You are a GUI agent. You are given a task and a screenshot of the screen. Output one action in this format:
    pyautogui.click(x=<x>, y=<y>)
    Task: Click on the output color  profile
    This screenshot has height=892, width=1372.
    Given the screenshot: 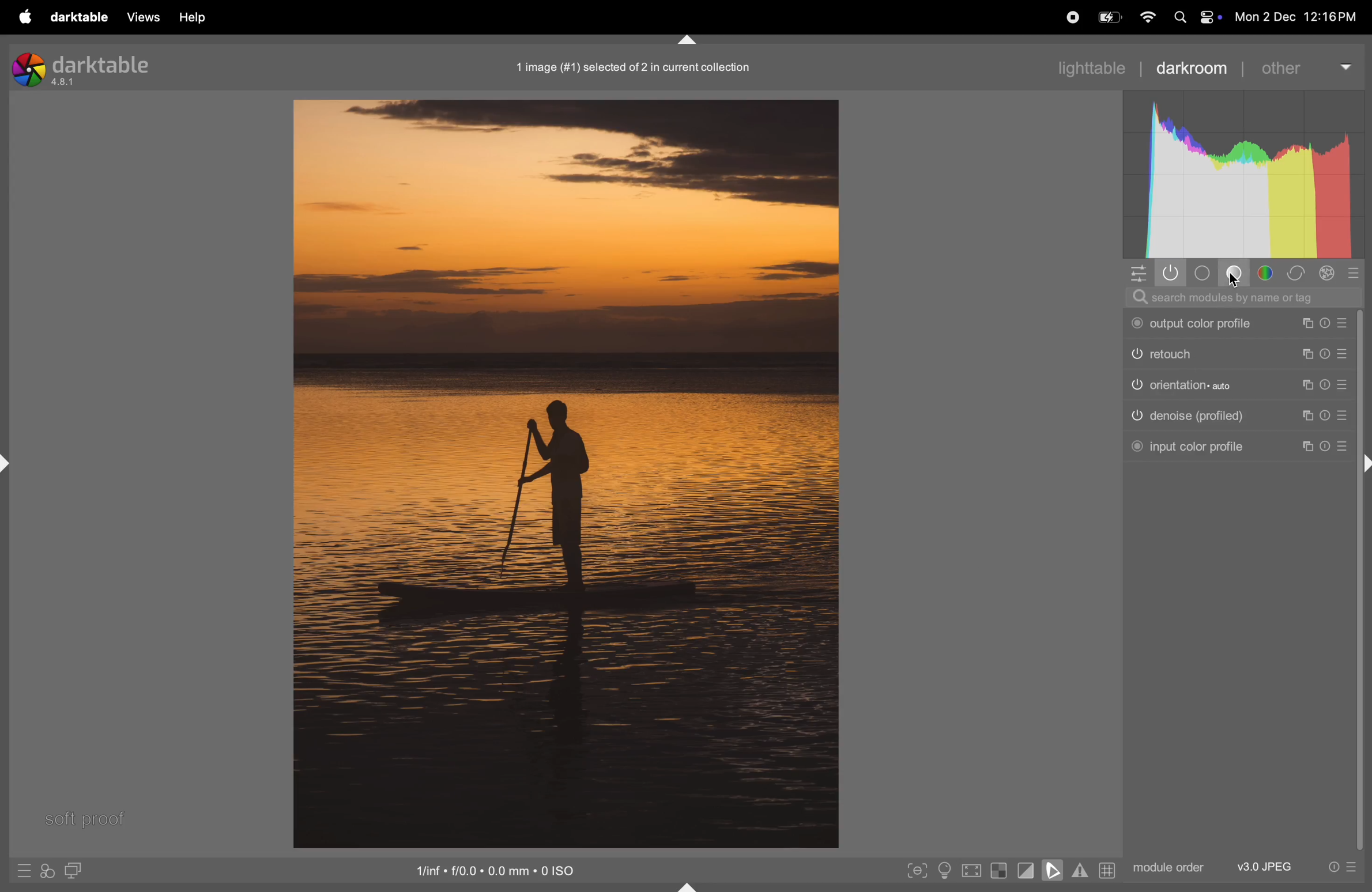 What is the action you would take?
    pyautogui.click(x=1236, y=324)
    